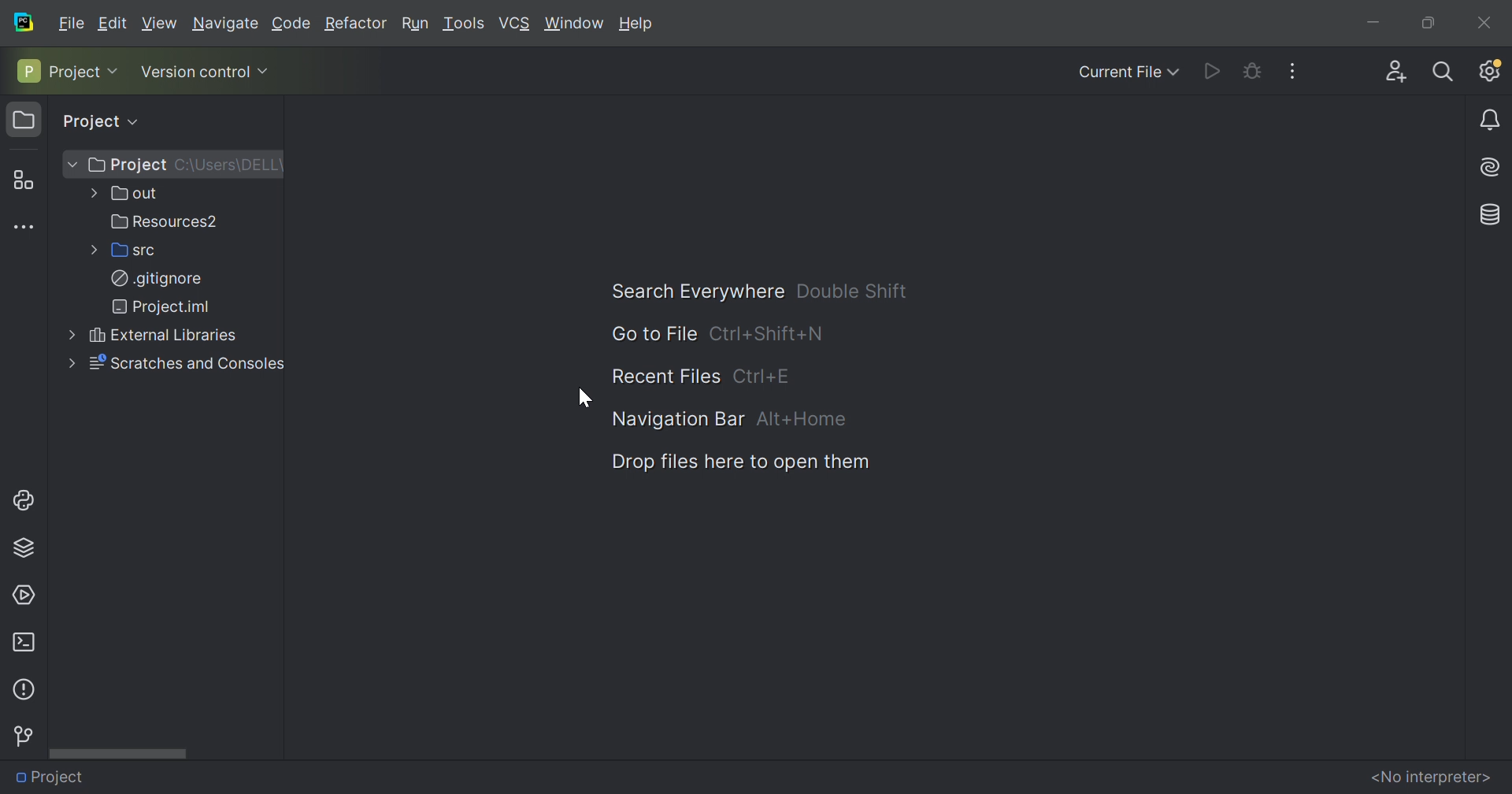 The image size is (1512, 794). What do you see at coordinates (1490, 70) in the screenshot?
I see `Updates available. IDE and project settings` at bounding box center [1490, 70].